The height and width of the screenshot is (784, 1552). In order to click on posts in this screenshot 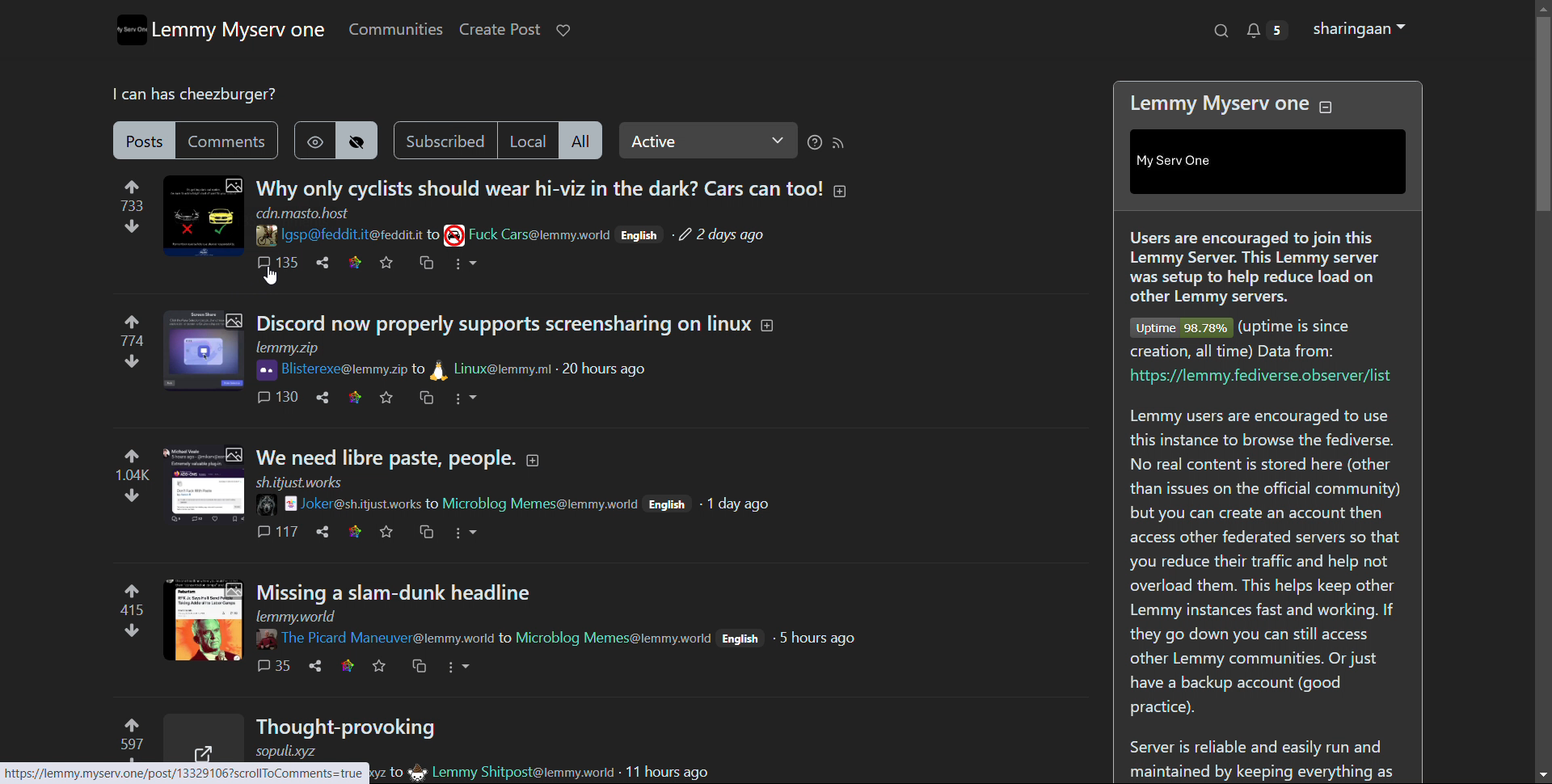, I will do `click(141, 140)`.